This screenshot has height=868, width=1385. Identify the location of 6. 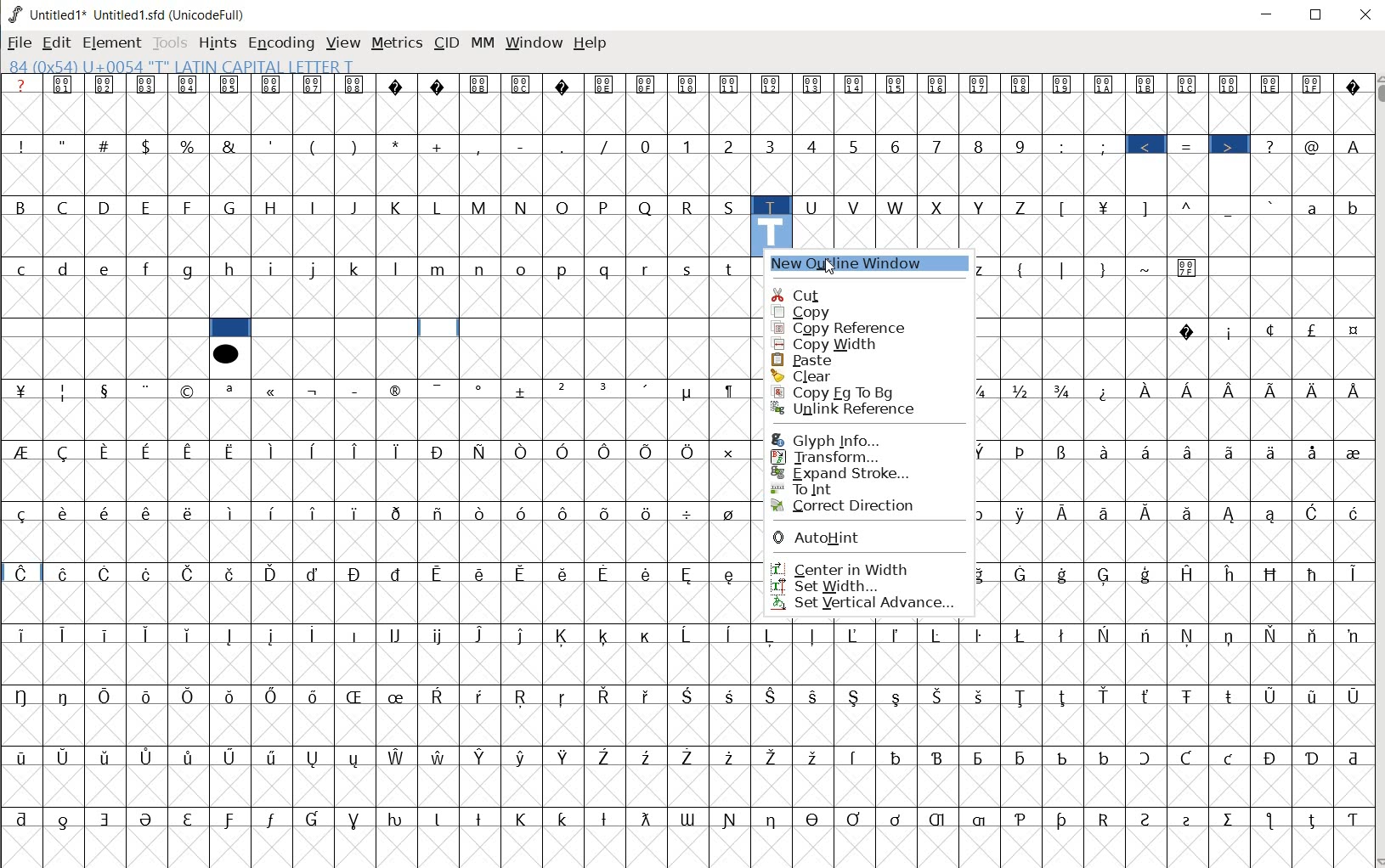
(895, 146).